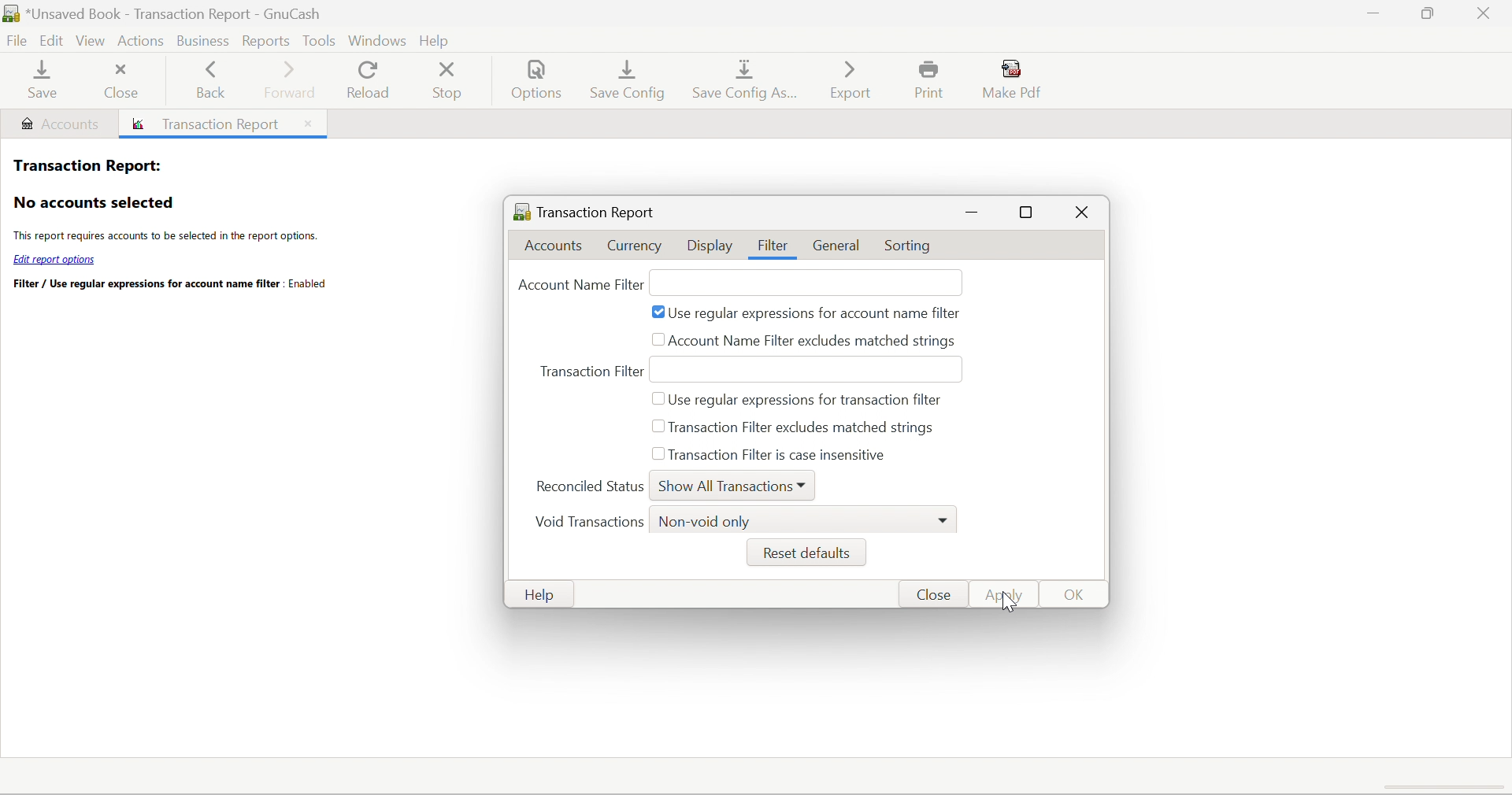 This screenshot has width=1512, height=795. I want to click on Sorting, so click(911, 247).